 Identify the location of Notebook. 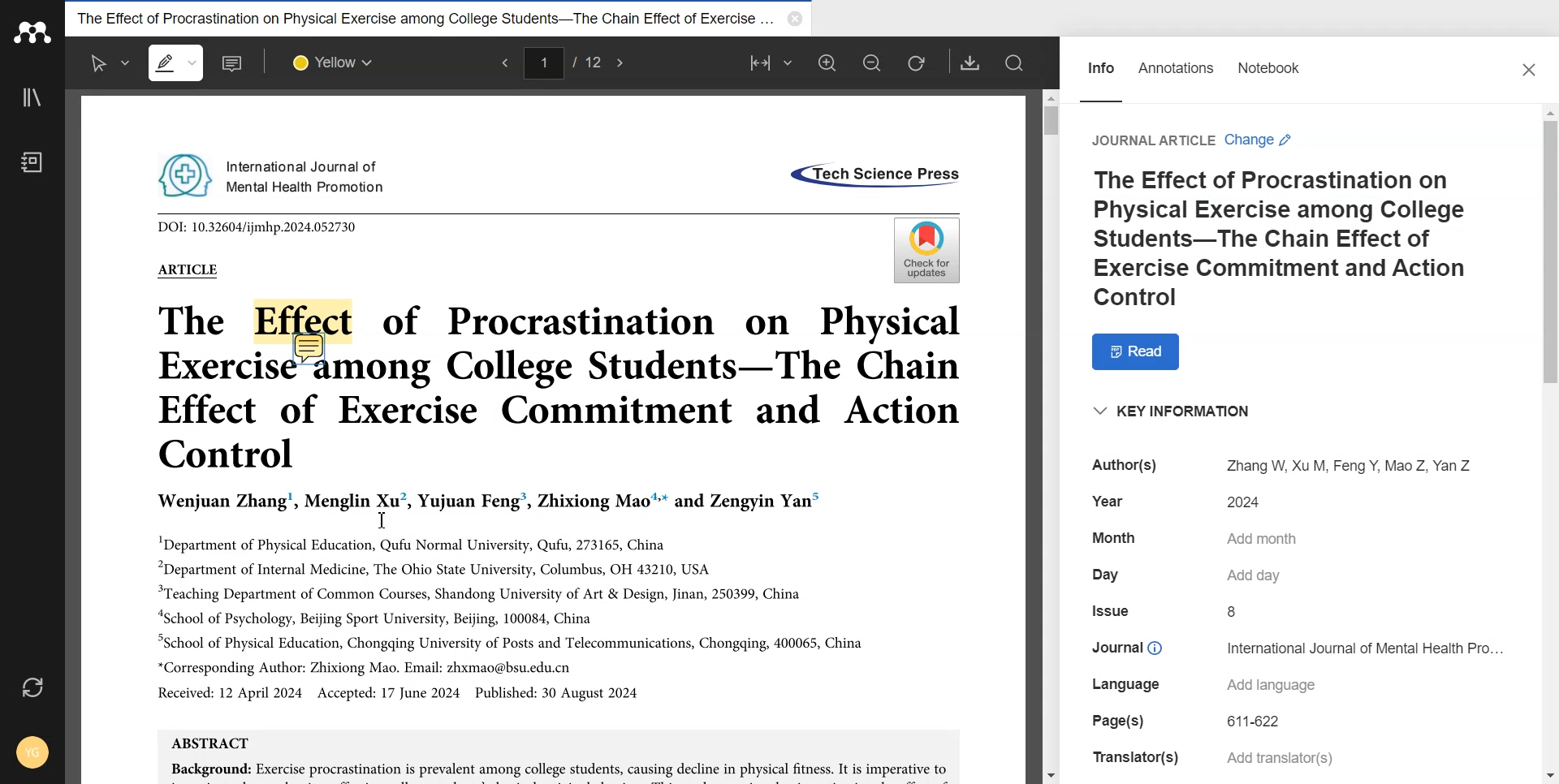
(1272, 71).